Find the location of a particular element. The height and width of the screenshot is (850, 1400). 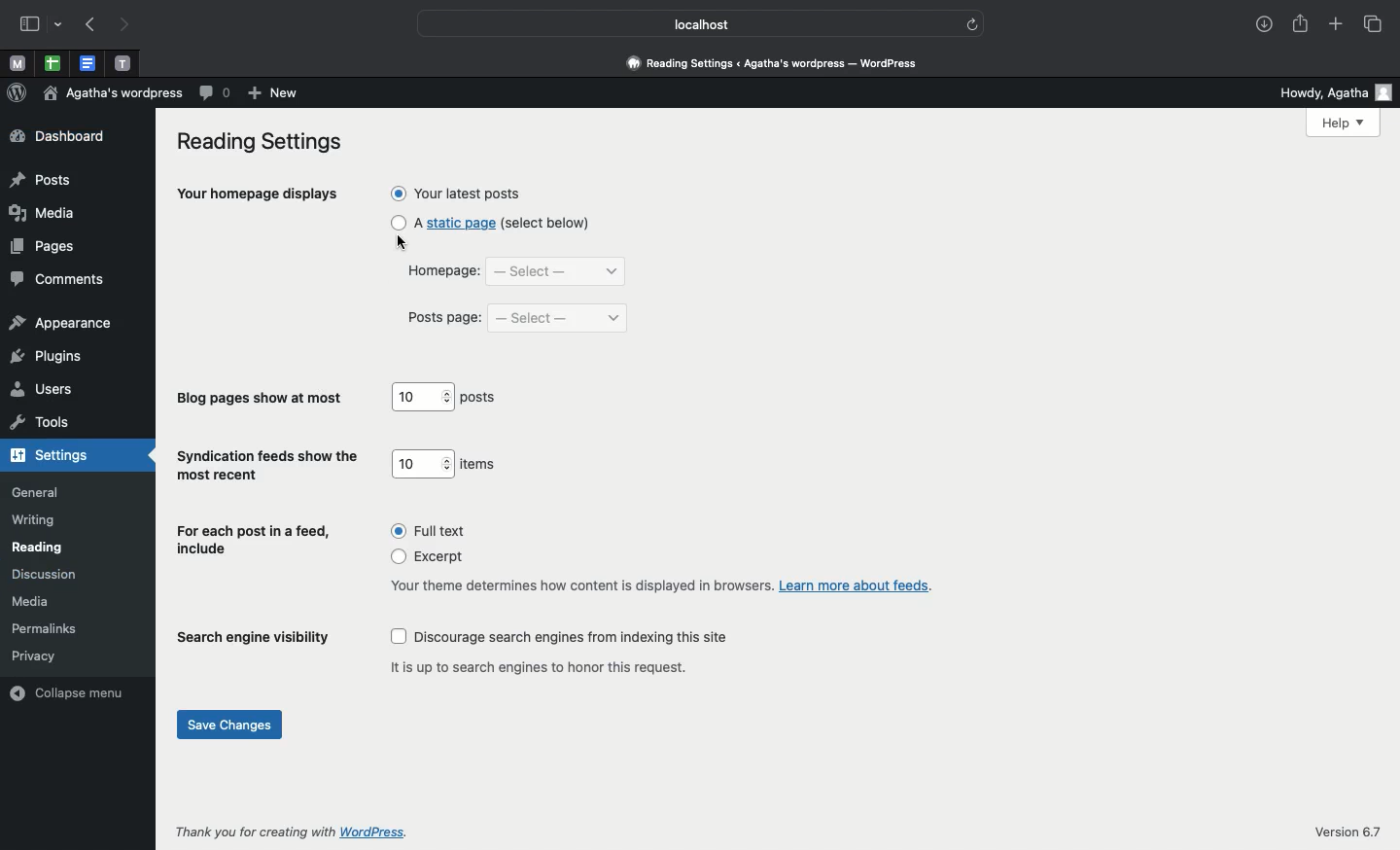

Discourage search engines from indexing this site is located at coordinates (562, 638).